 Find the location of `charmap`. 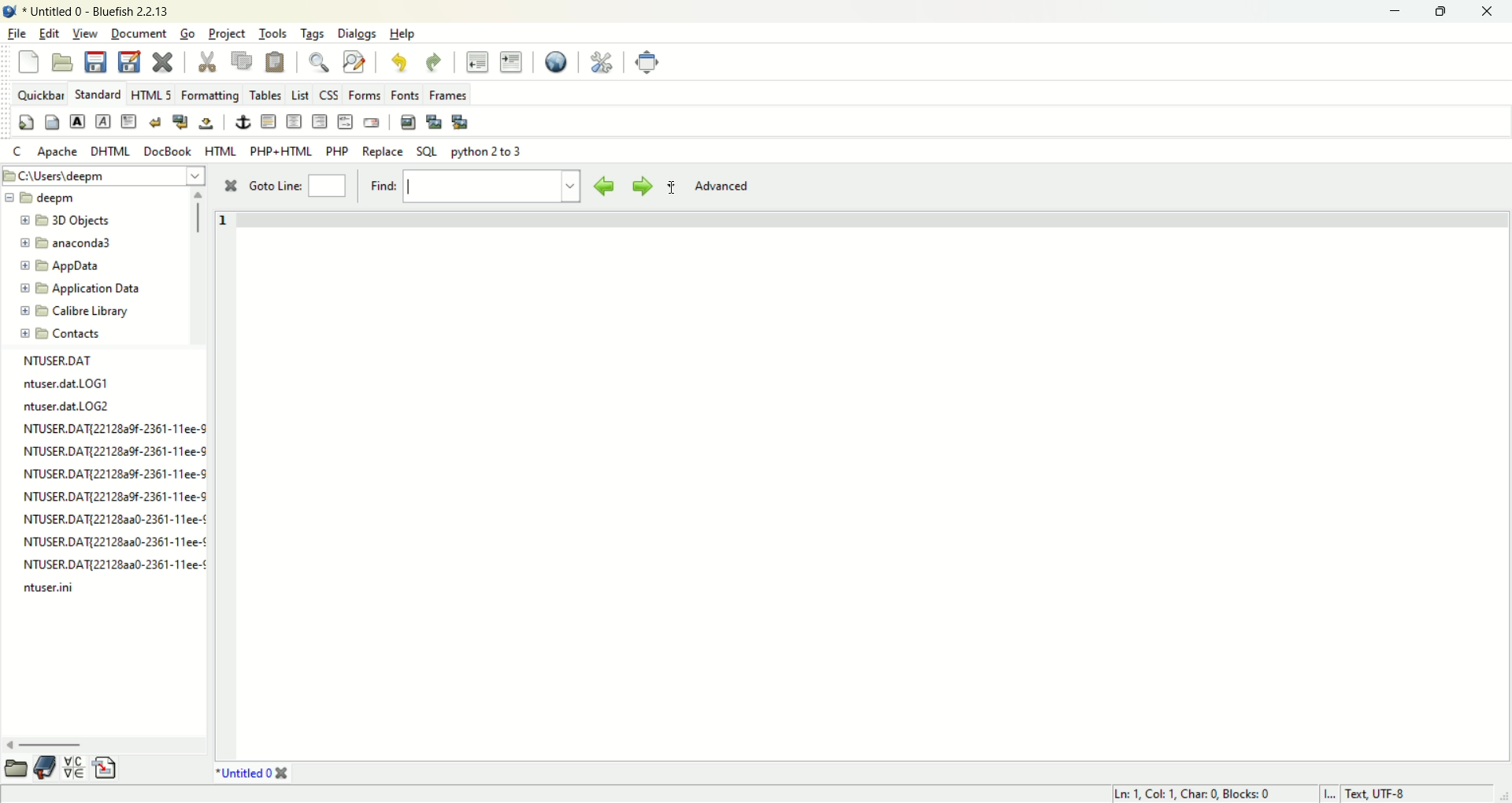

charmap is located at coordinates (75, 769).